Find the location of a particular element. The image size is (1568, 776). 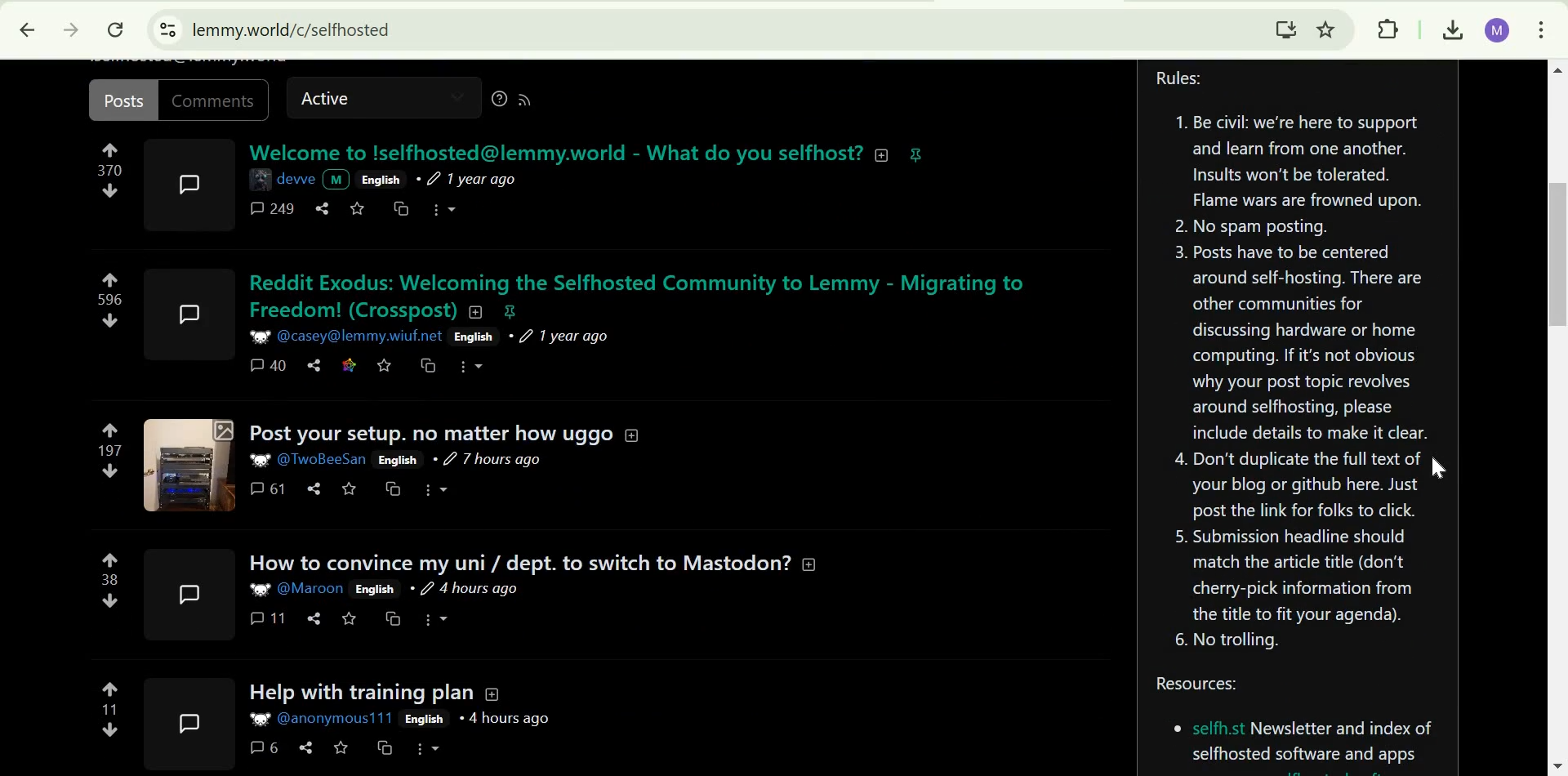

save is located at coordinates (357, 210).